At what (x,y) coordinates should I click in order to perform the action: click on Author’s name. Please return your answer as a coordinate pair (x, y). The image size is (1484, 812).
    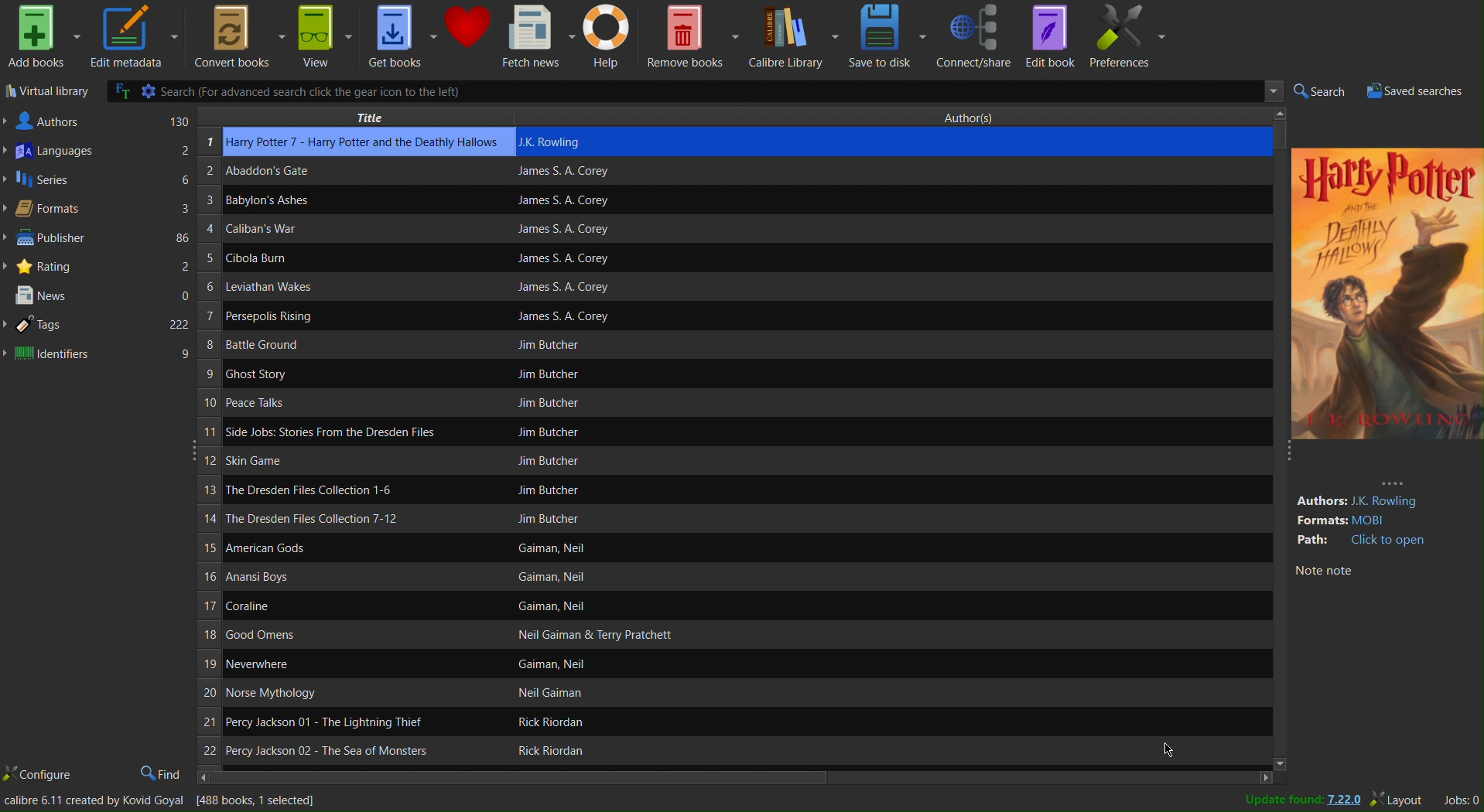
    Looking at the image, I should click on (625, 722).